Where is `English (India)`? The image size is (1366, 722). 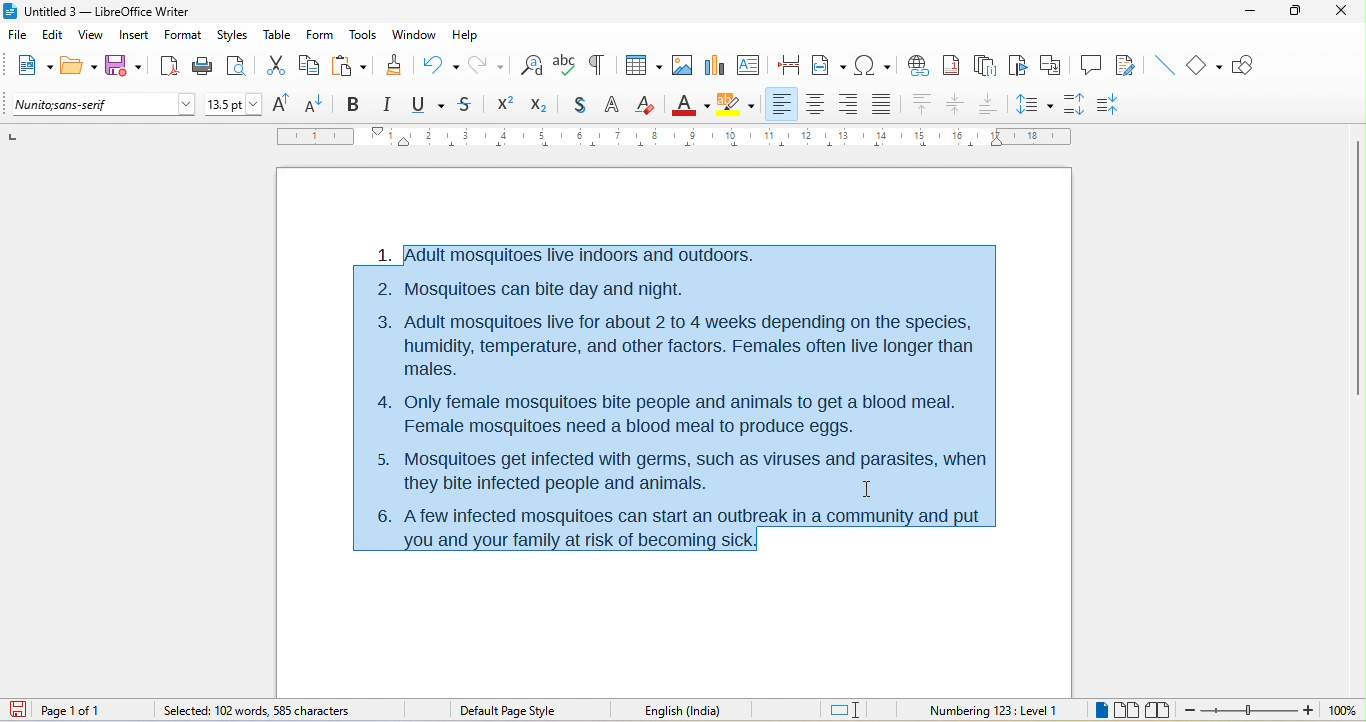 English (India) is located at coordinates (690, 709).